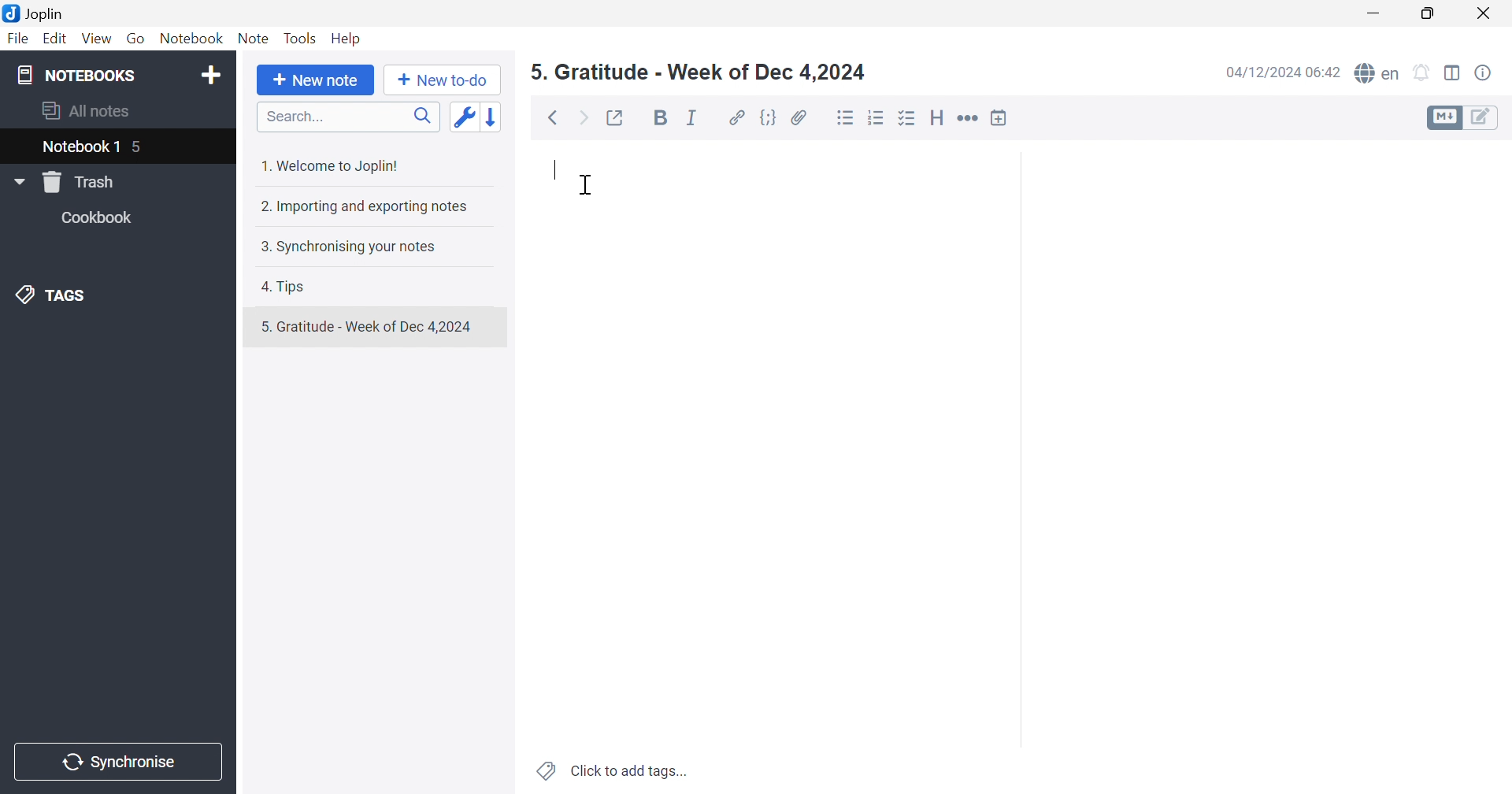 This screenshot has width=1512, height=794. What do you see at coordinates (39, 15) in the screenshot?
I see `Joplin` at bounding box center [39, 15].